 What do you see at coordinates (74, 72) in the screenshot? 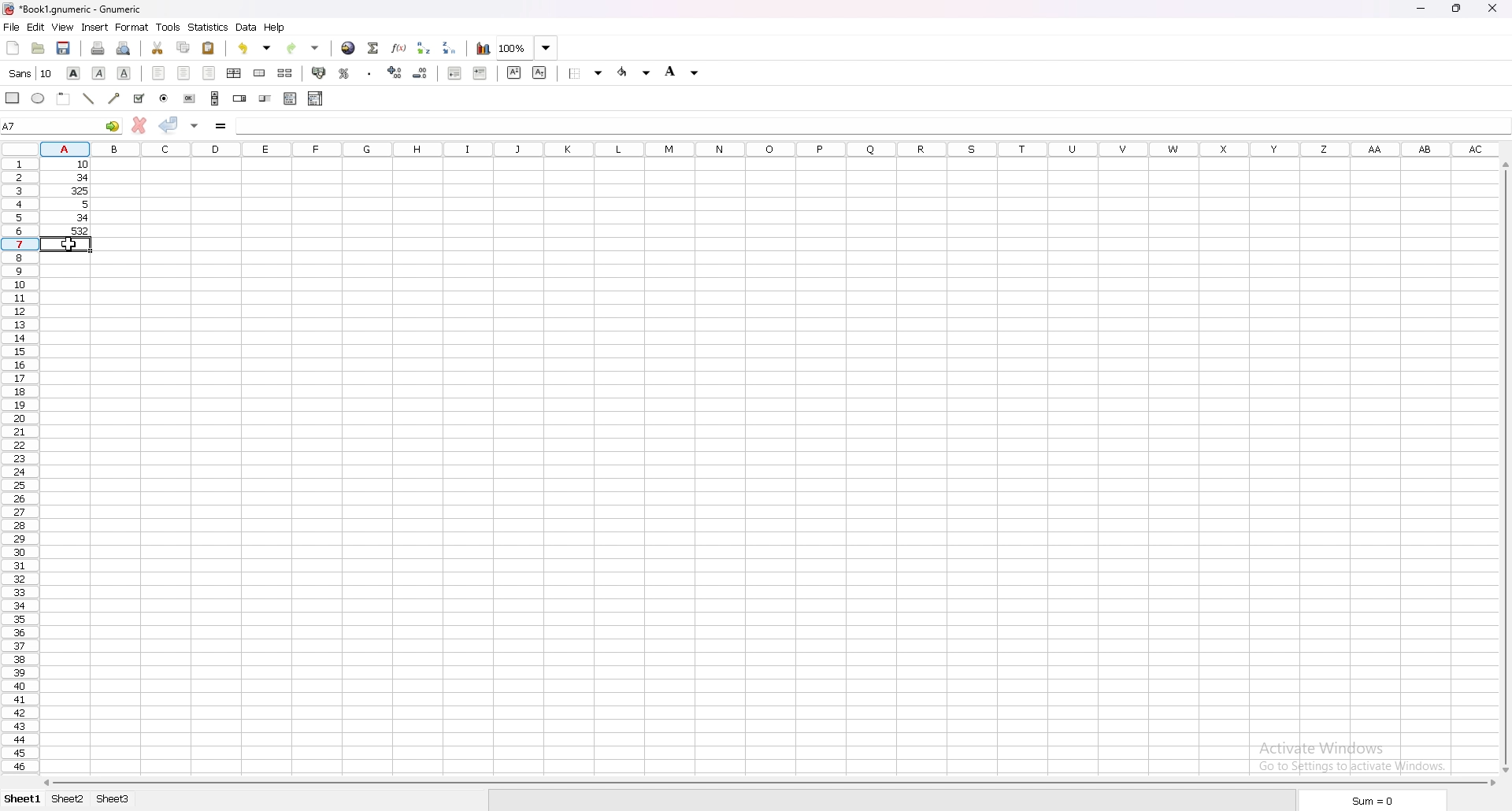
I see `bold` at bounding box center [74, 72].